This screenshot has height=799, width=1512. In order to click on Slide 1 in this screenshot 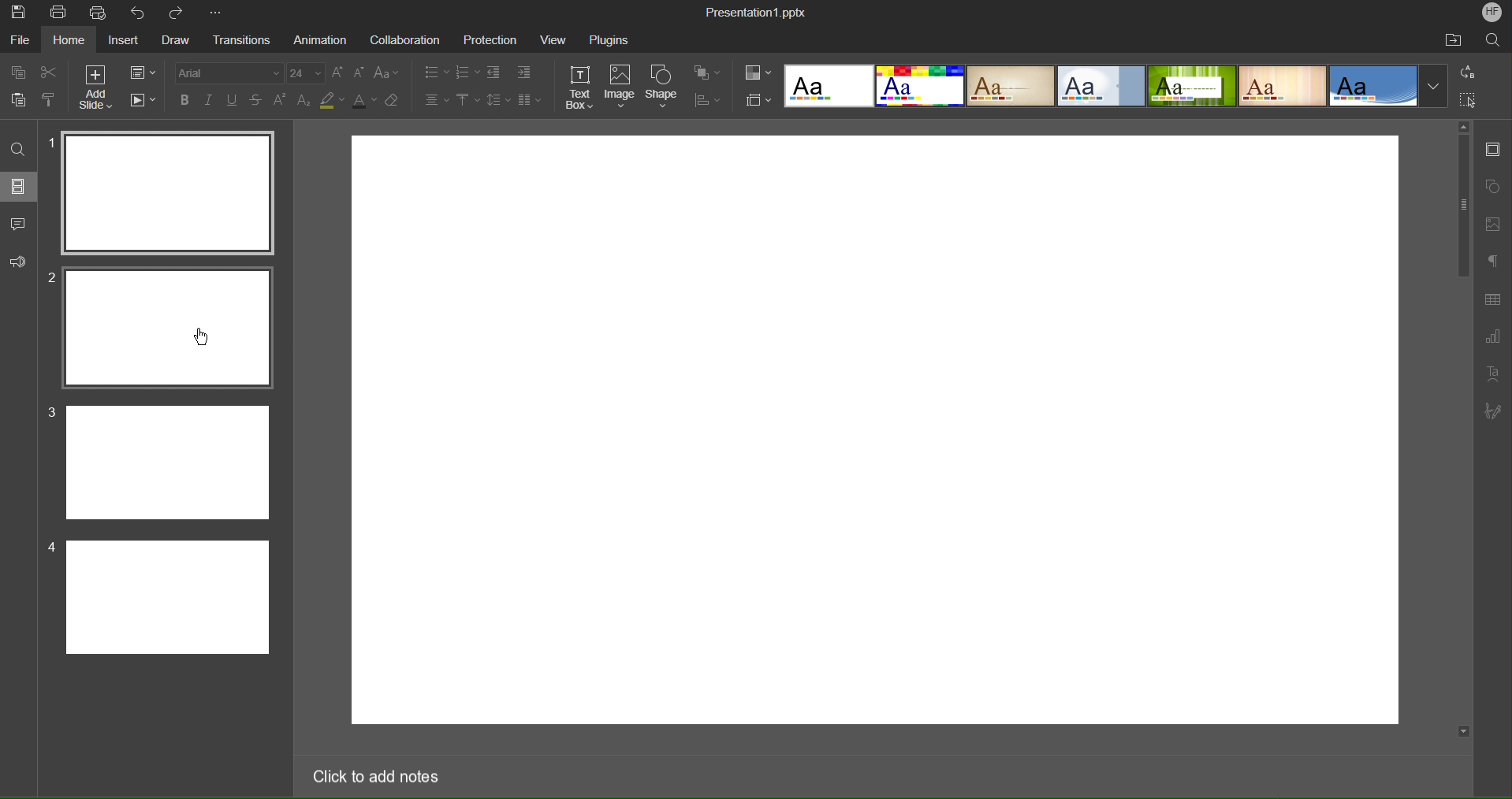, I will do `click(169, 190)`.